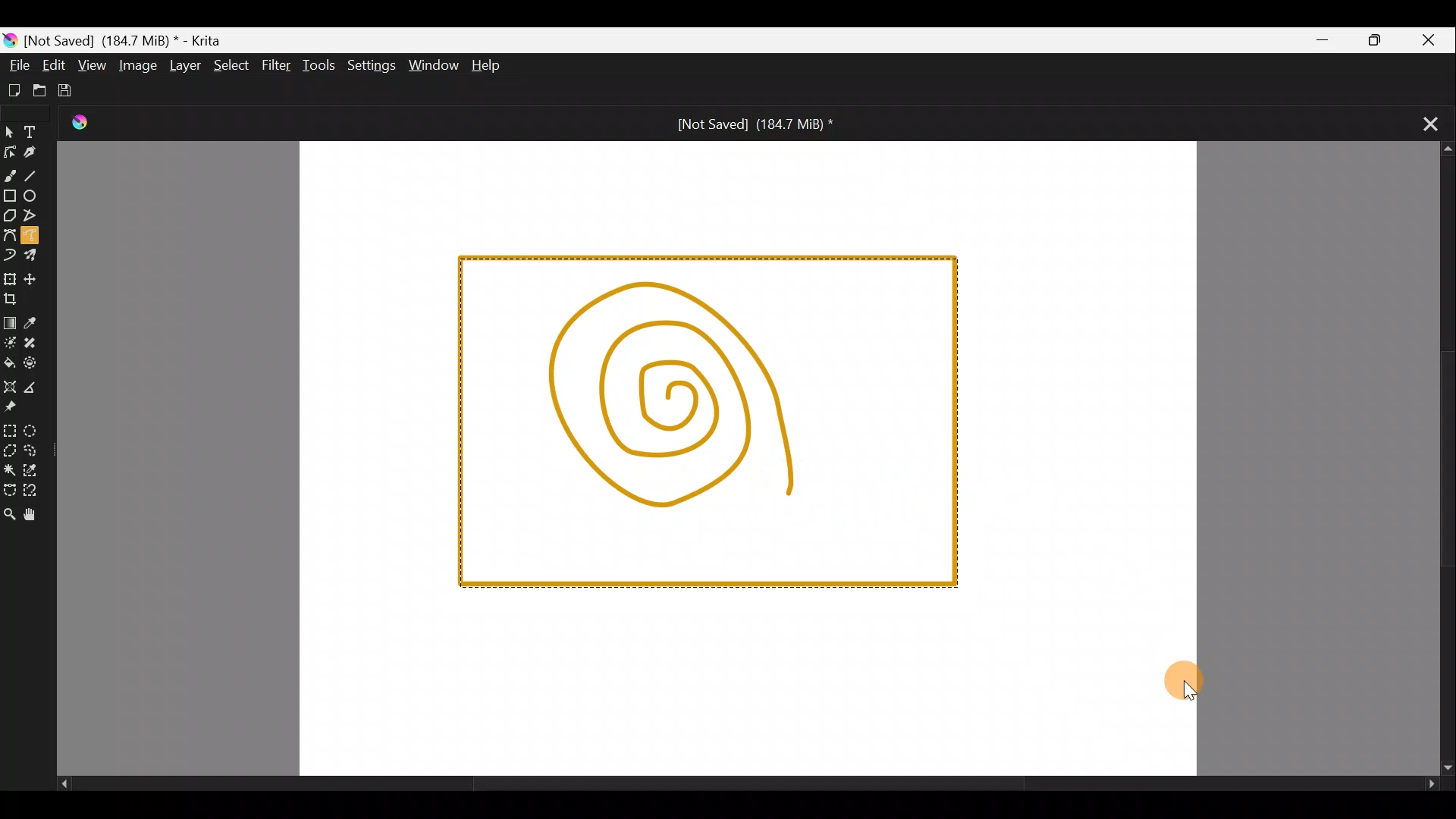  I want to click on Scroll bar, so click(742, 786).